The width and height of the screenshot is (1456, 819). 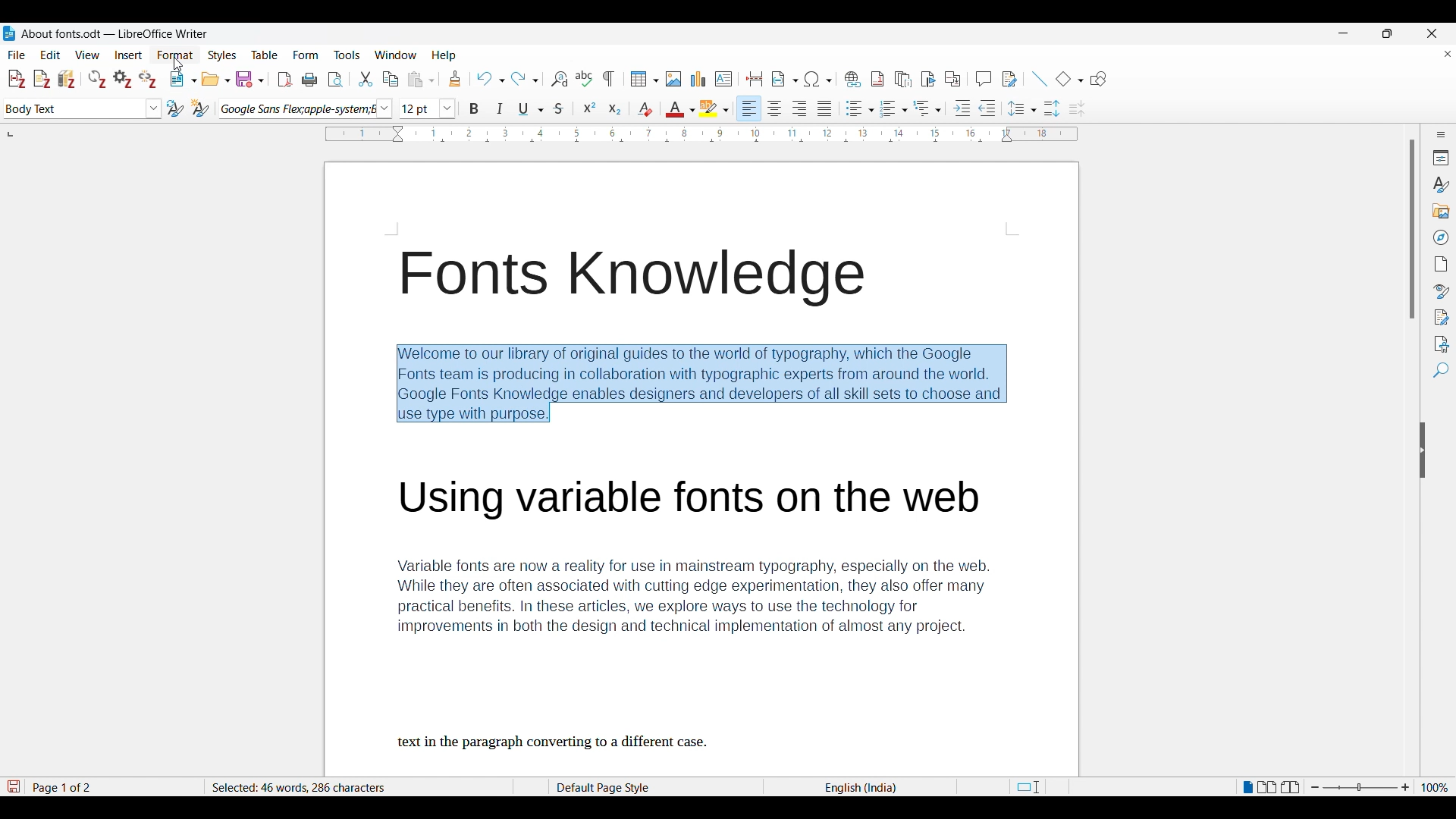 What do you see at coordinates (50, 55) in the screenshot?
I see `Edit menu` at bounding box center [50, 55].